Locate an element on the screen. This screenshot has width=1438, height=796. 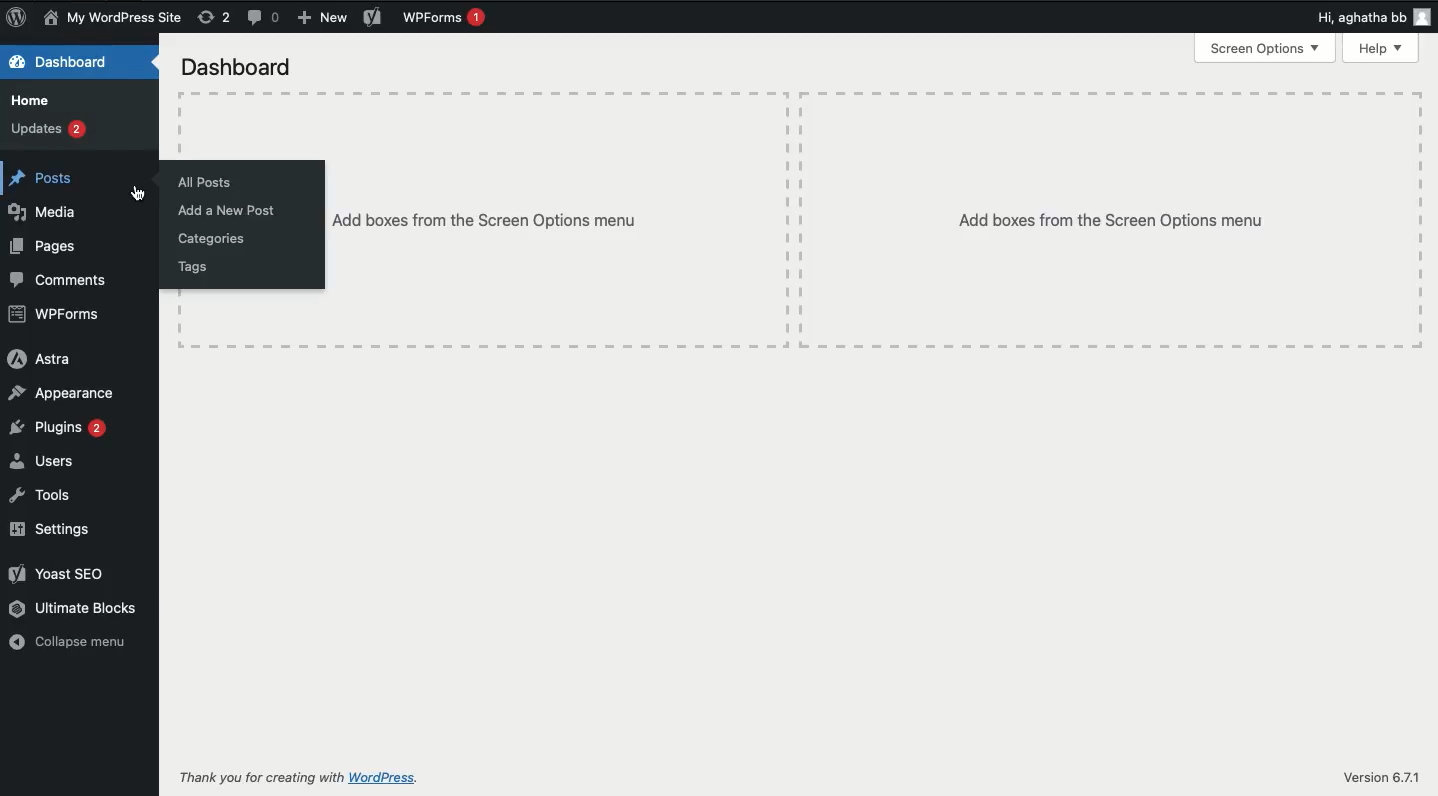
Users is located at coordinates (46, 461).